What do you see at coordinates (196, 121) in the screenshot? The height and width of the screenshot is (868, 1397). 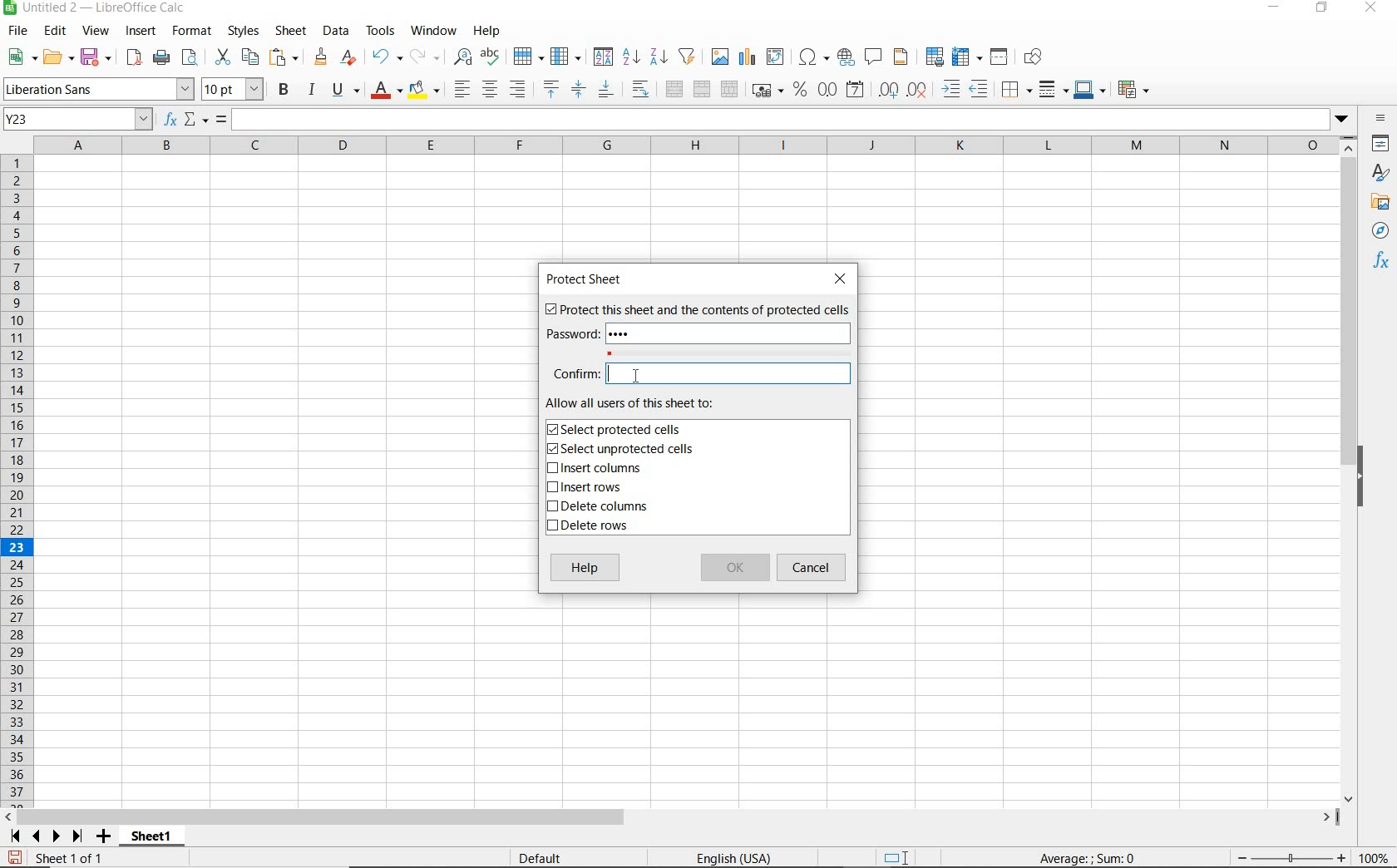 I see `SELECT FUNCTION` at bounding box center [196, 121].